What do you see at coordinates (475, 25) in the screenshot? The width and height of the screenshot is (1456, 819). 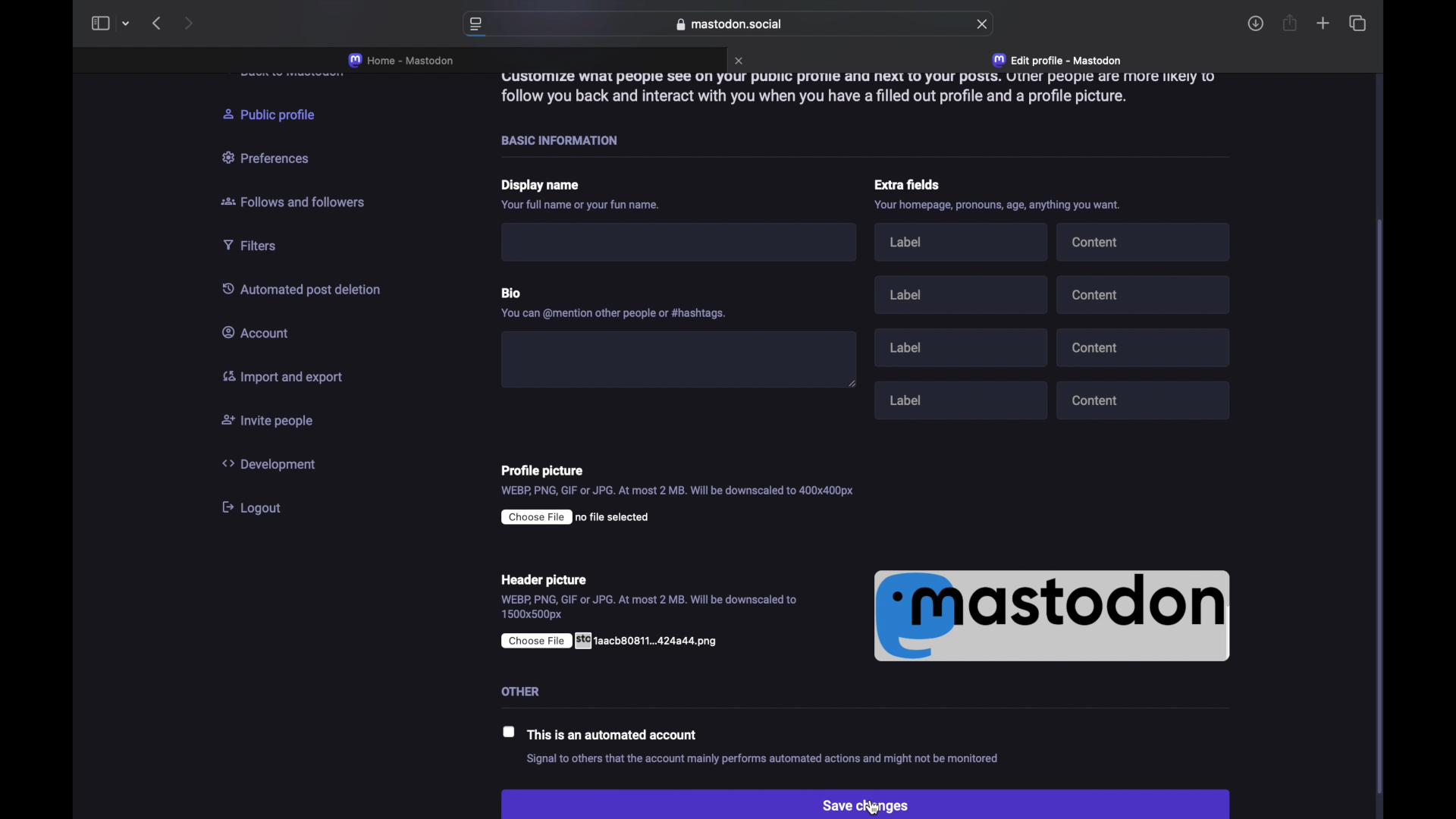 I see `website preferences` at bounding box center [475, 25].